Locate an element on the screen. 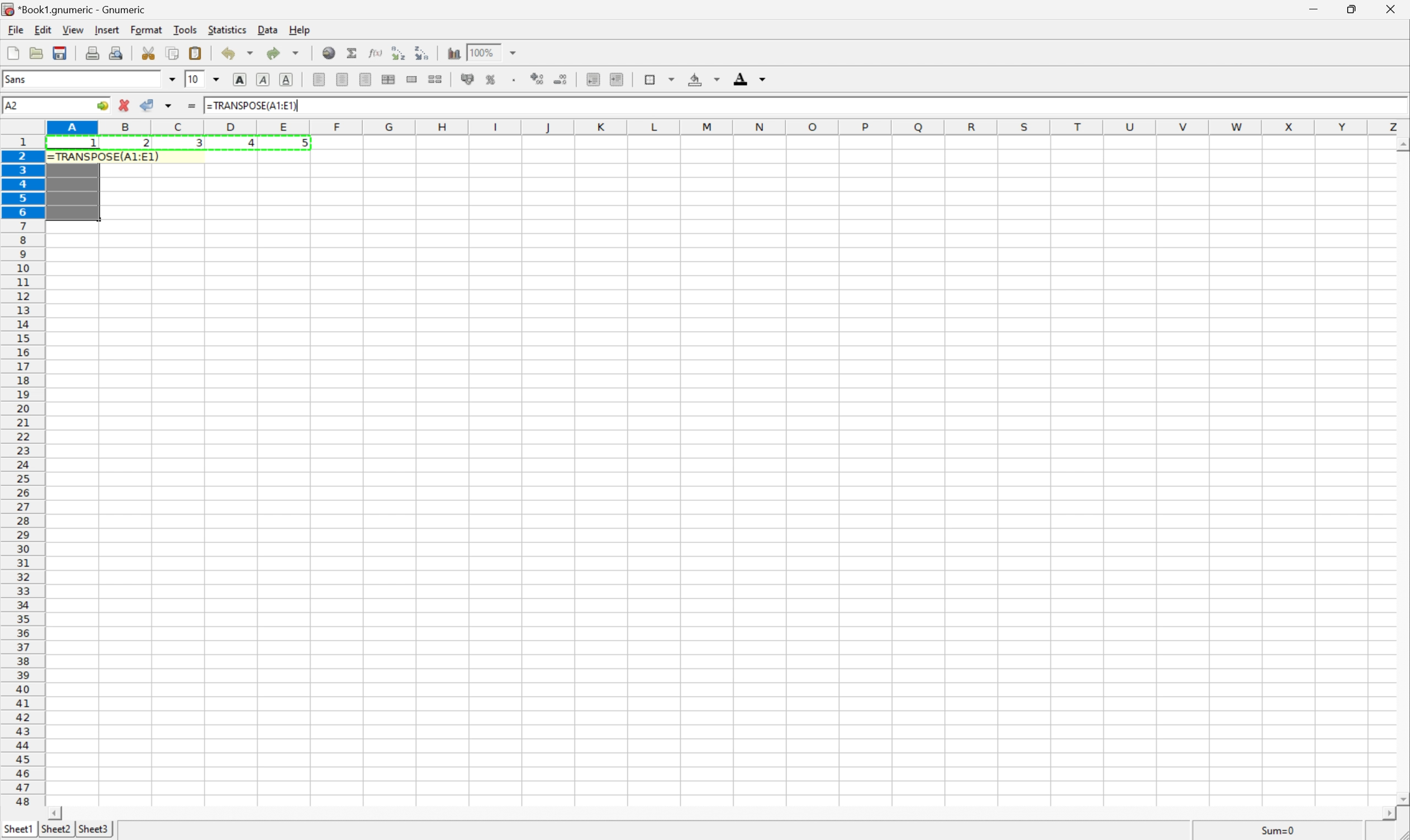 This screenshot has width=1410, height=840. sheet2 is located at coordinates (57, 832).